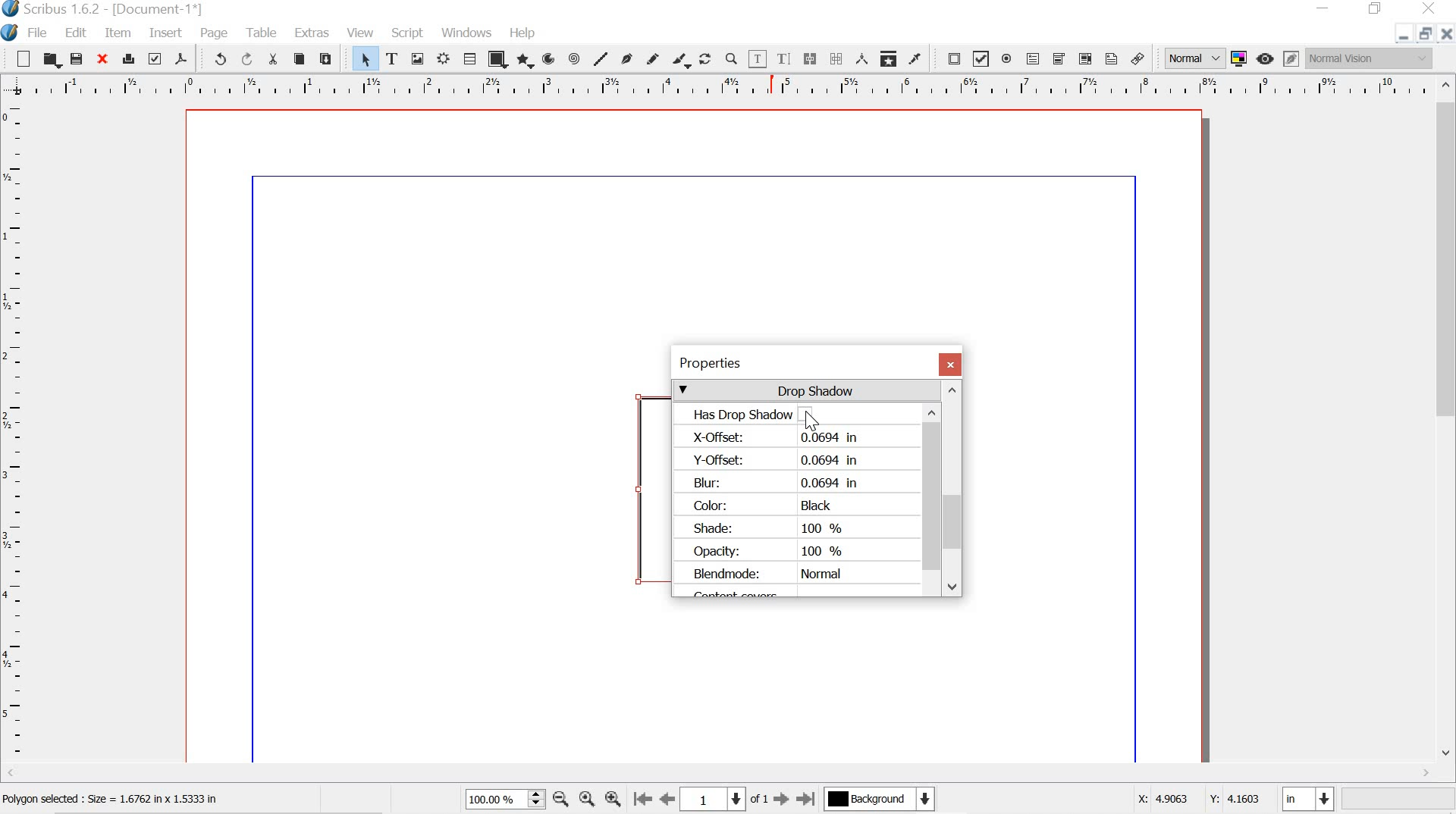 The image size is (1456, 814). Describe the element at coordinates (115, 10) in the screenshot. I see `Scribus 1.6.2 - [Document-1*]` at that location.